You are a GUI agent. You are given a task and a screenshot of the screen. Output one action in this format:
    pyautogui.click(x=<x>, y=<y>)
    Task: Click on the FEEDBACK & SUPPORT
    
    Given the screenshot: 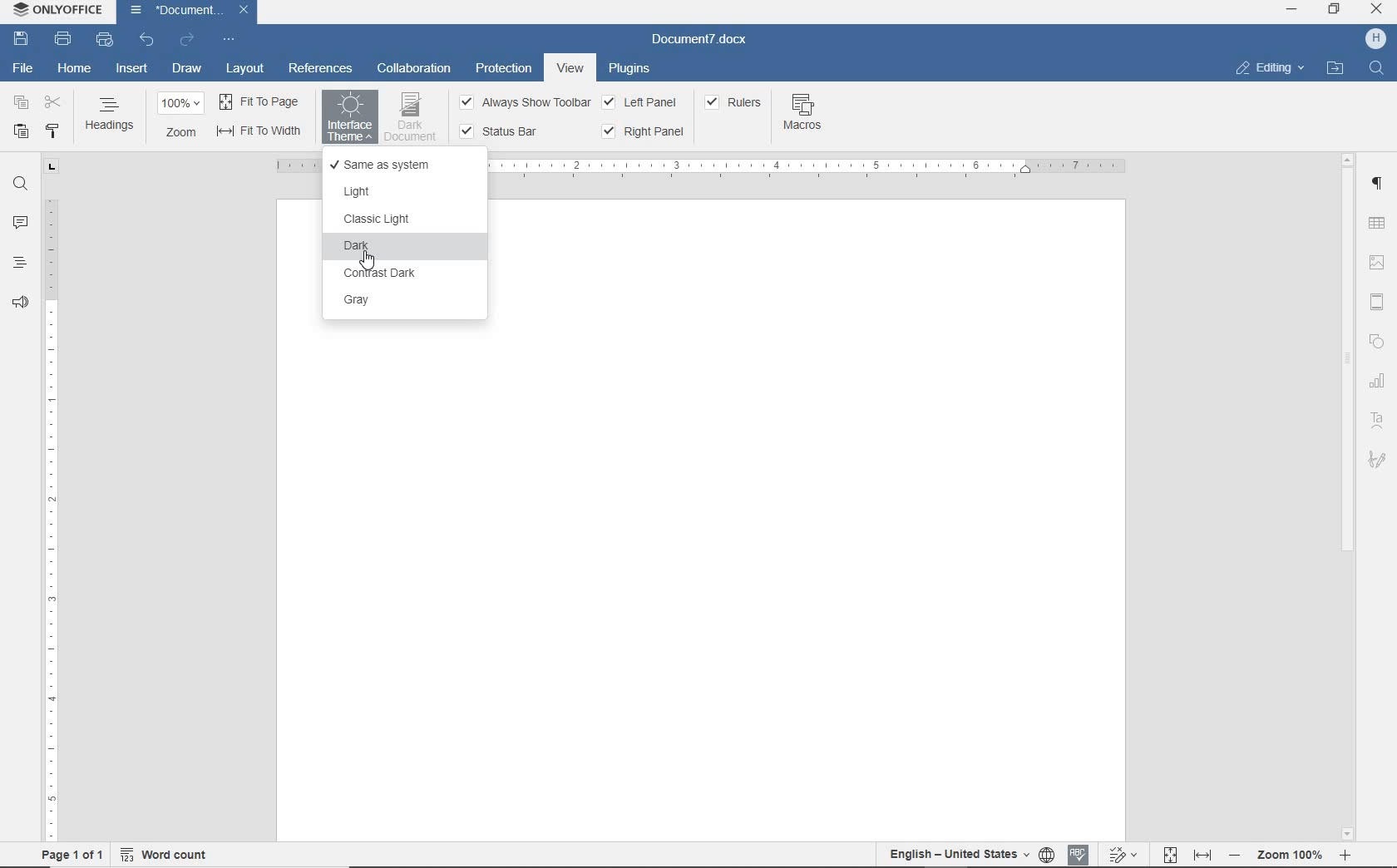 What is the action you would take?
    pyautogui.click(x=19, y=304)
    